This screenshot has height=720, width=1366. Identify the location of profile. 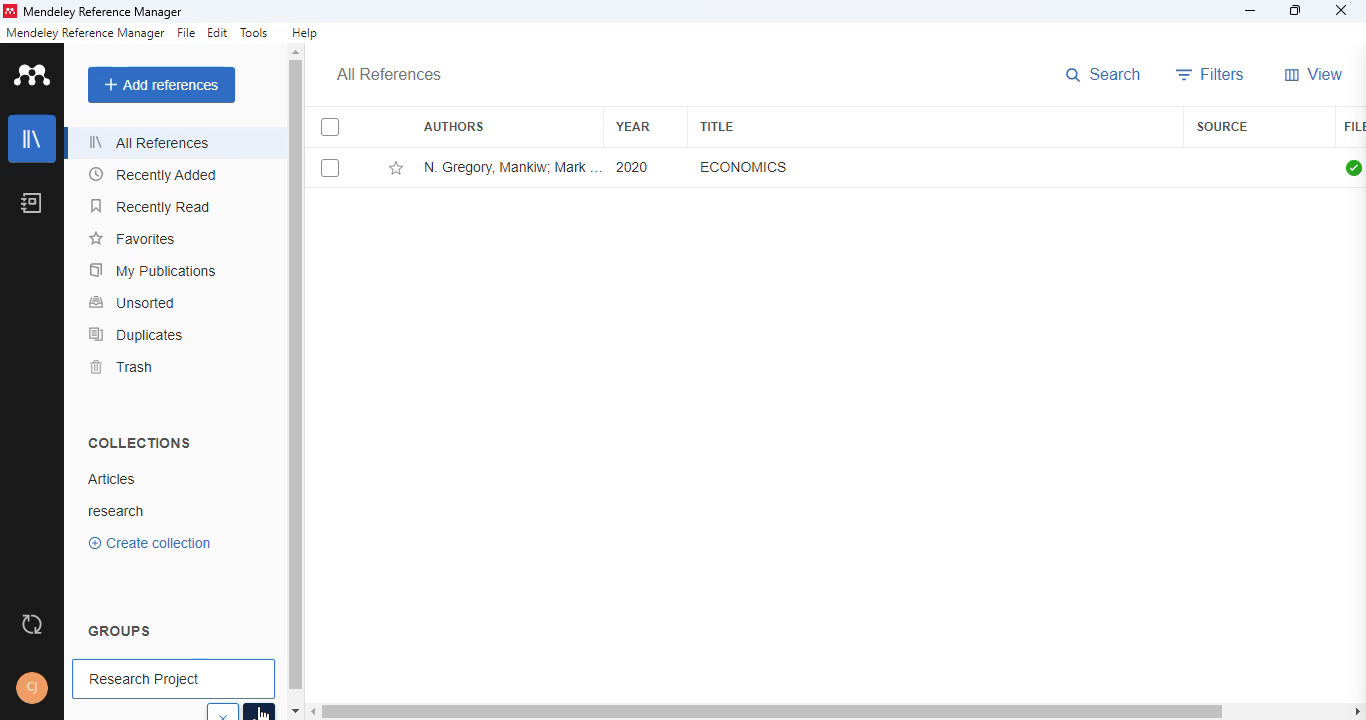
(32, 689).